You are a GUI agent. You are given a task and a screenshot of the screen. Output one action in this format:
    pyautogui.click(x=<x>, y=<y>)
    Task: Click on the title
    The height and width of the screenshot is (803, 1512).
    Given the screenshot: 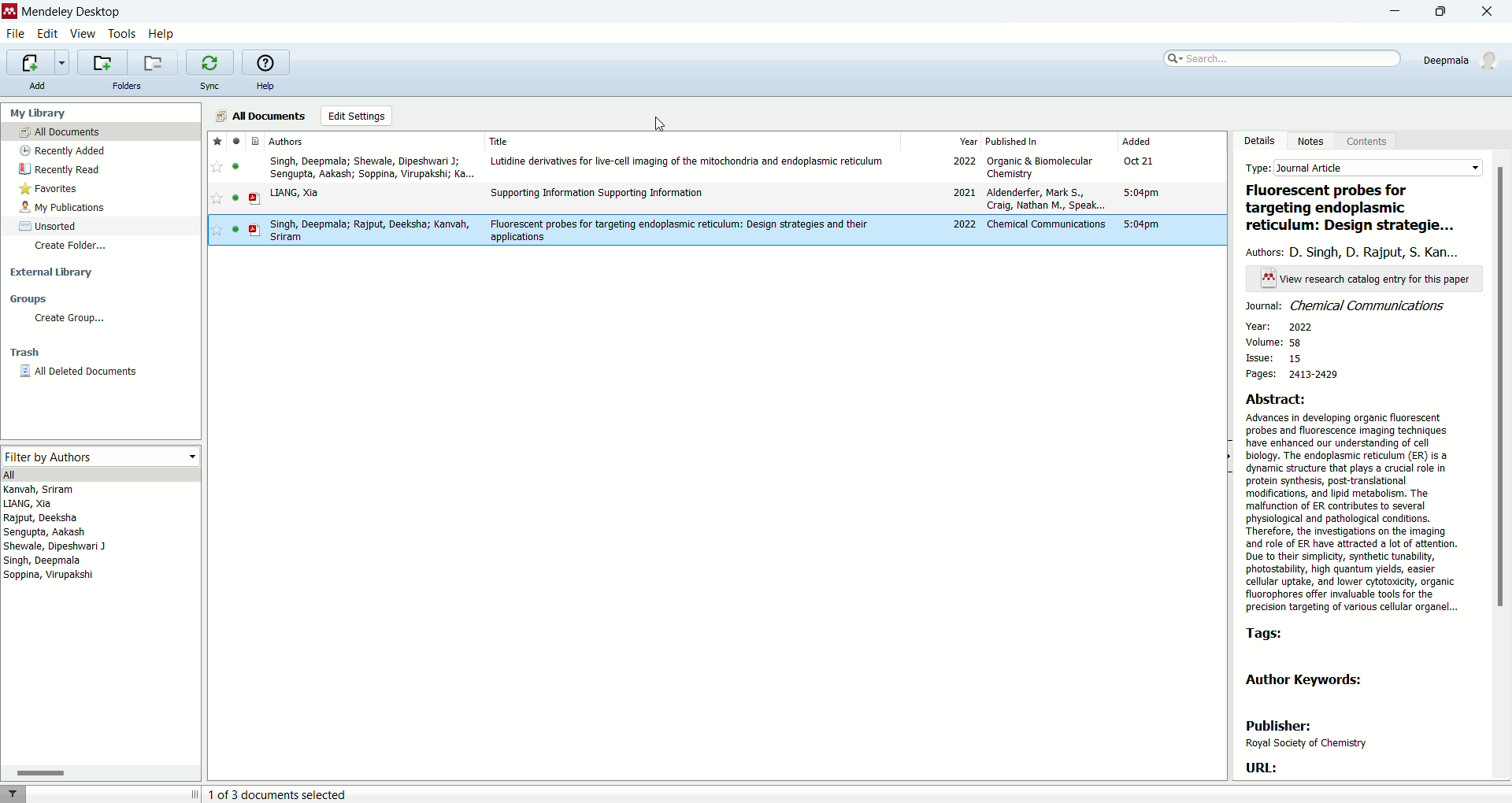 What is the action you would take?
    pyautogui.click(x=687, y=139)
    